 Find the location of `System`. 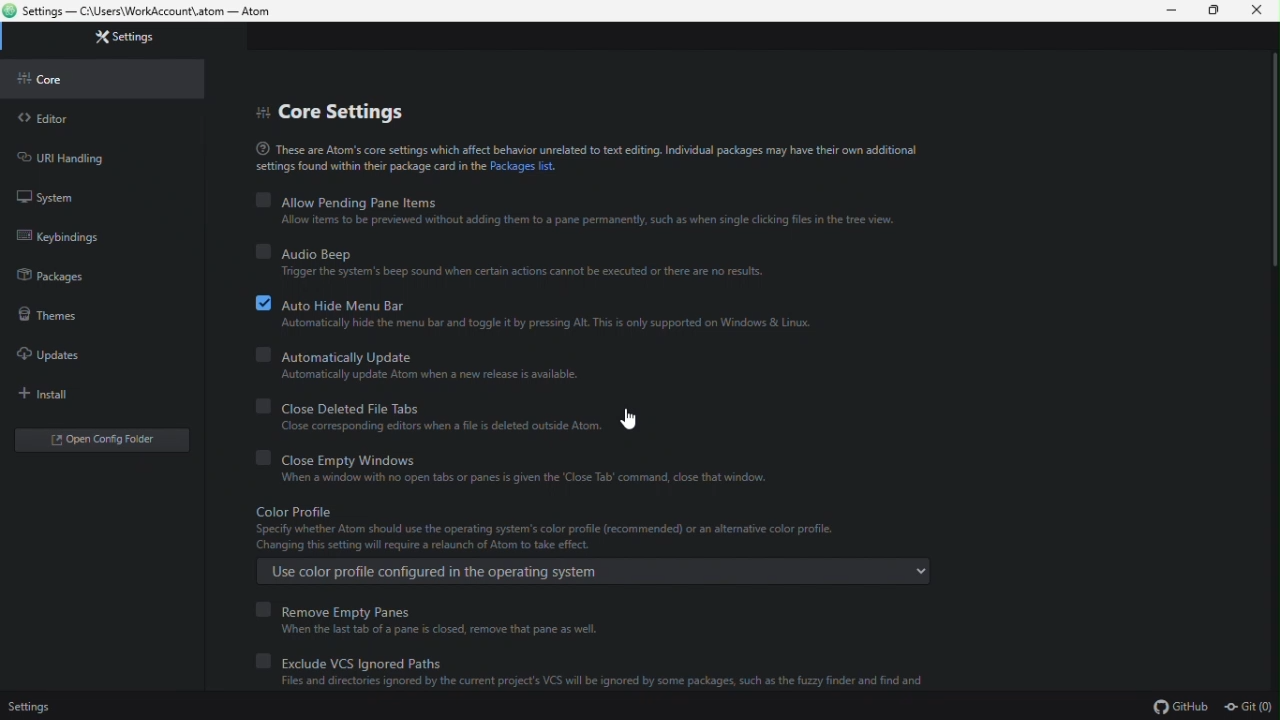

System is located at coordinates (98, 192).